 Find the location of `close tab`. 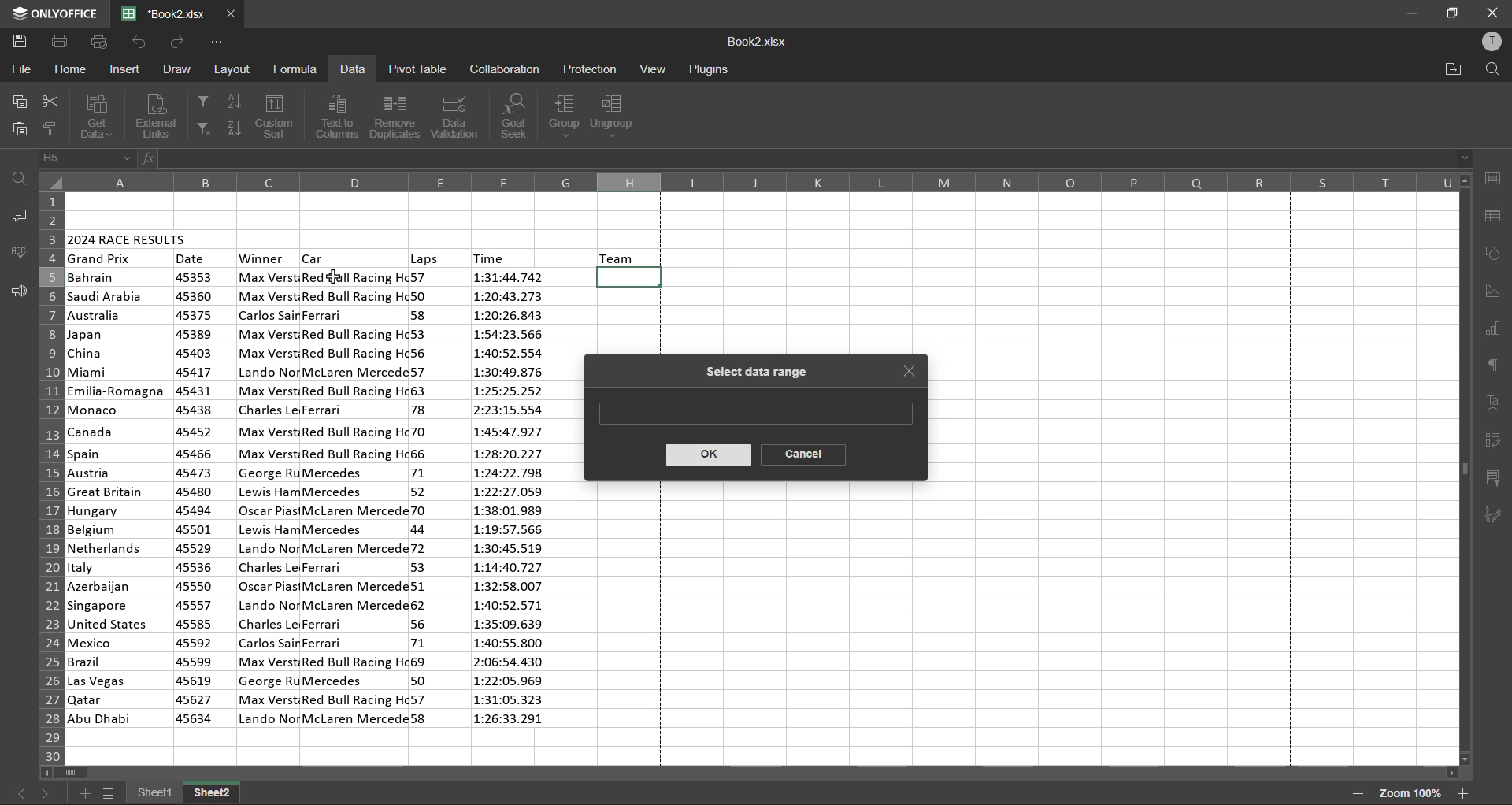

close tab is located at coordinates (232, 14).